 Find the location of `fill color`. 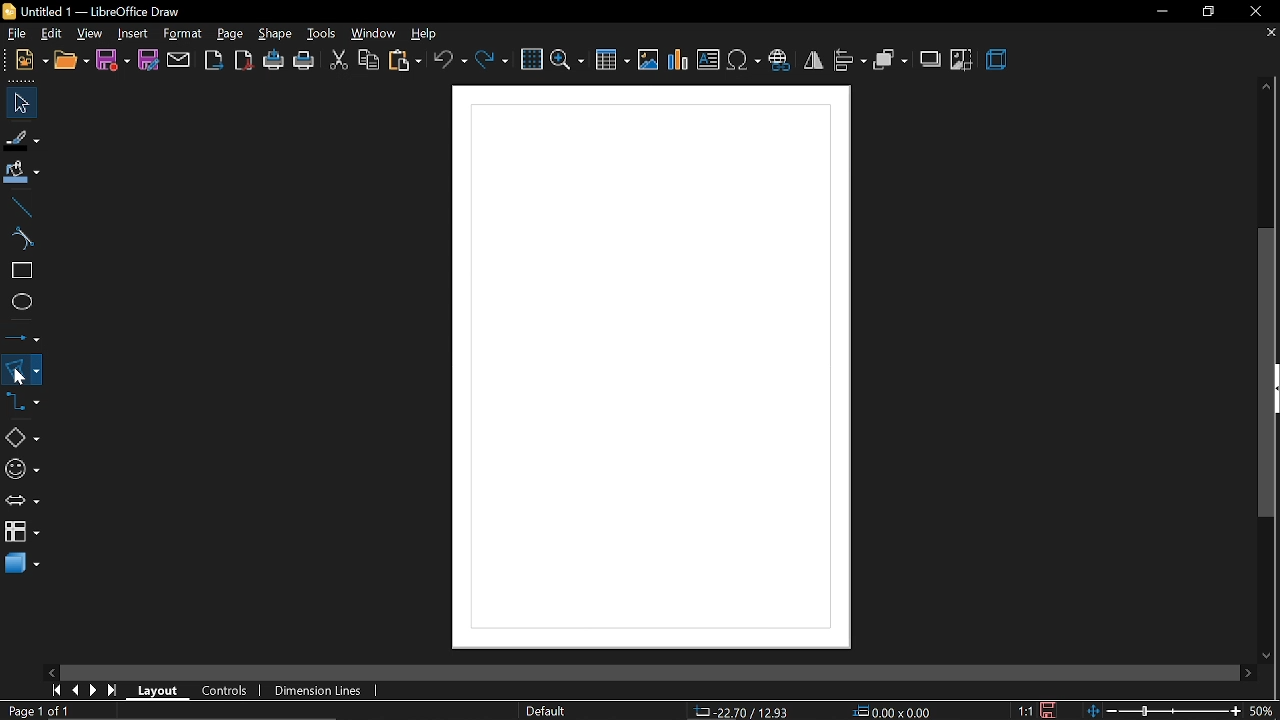

fill color is located at coordinates (19, 172).